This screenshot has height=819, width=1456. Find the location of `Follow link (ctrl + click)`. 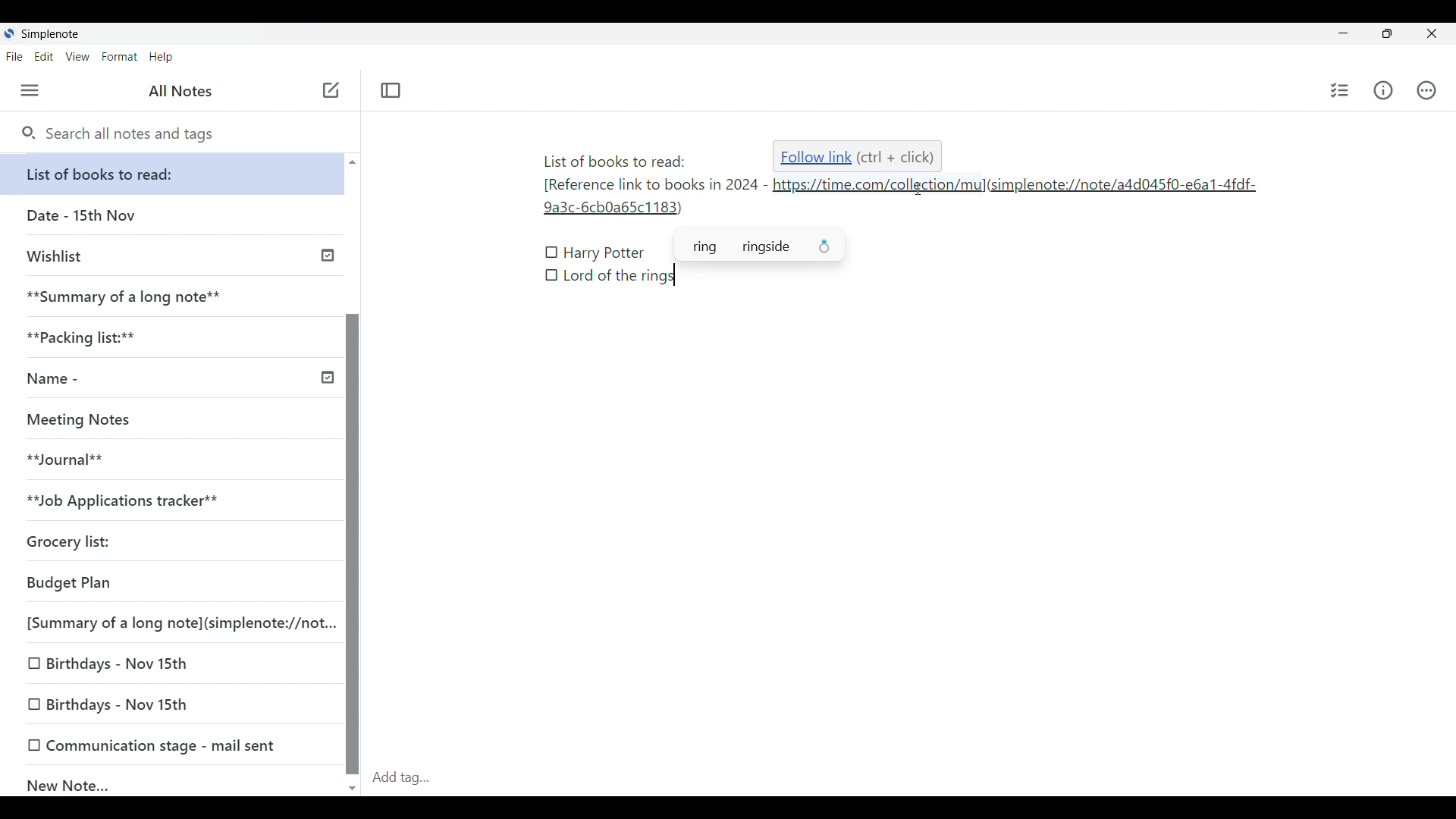

Follow link (ctrl + click) is located at coordinates (859, 156).